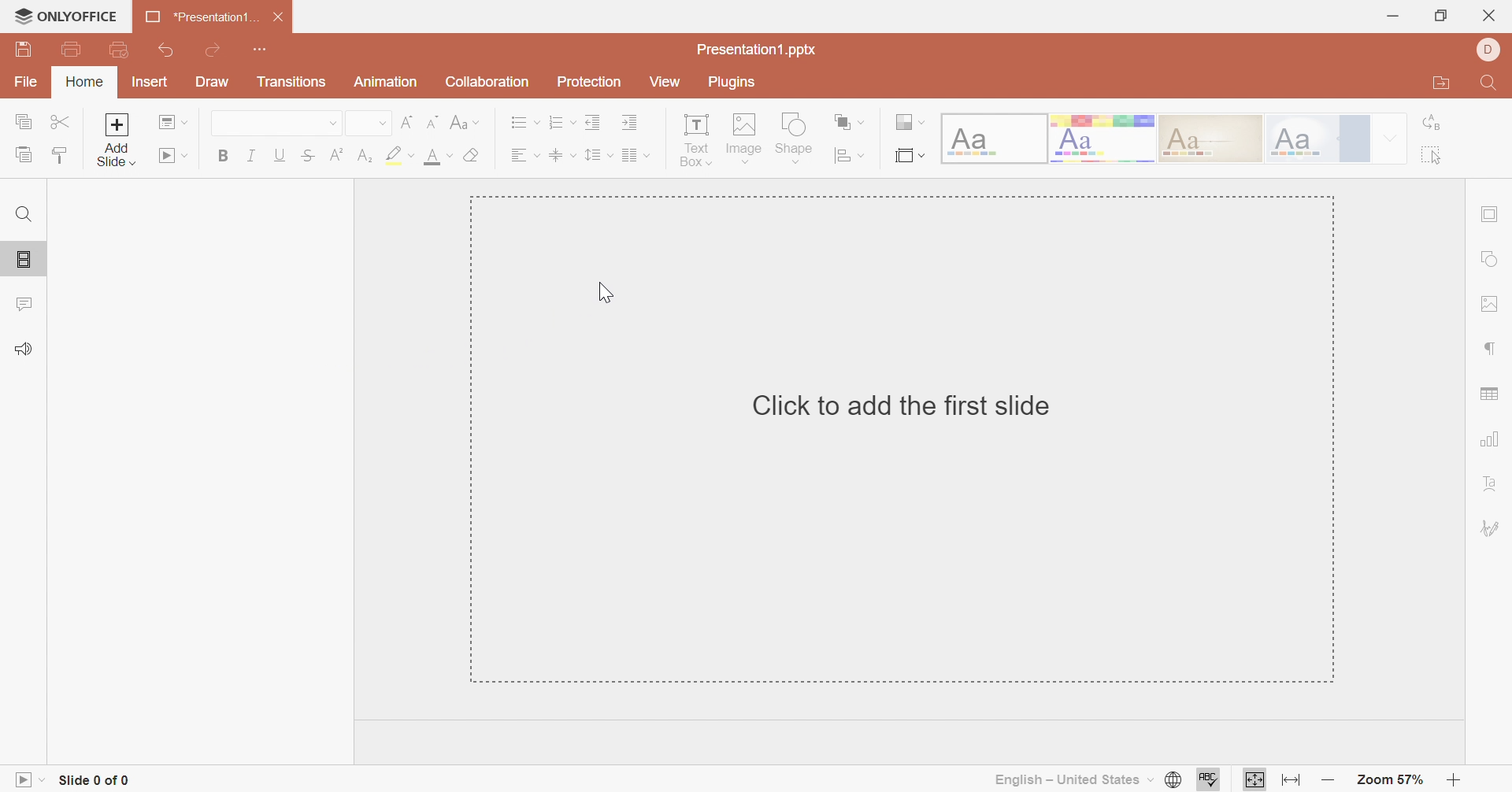  What do you see at coordinates (18, 779) in the screenshot?
I see `Slideshow` at bounding box center [18, 779].